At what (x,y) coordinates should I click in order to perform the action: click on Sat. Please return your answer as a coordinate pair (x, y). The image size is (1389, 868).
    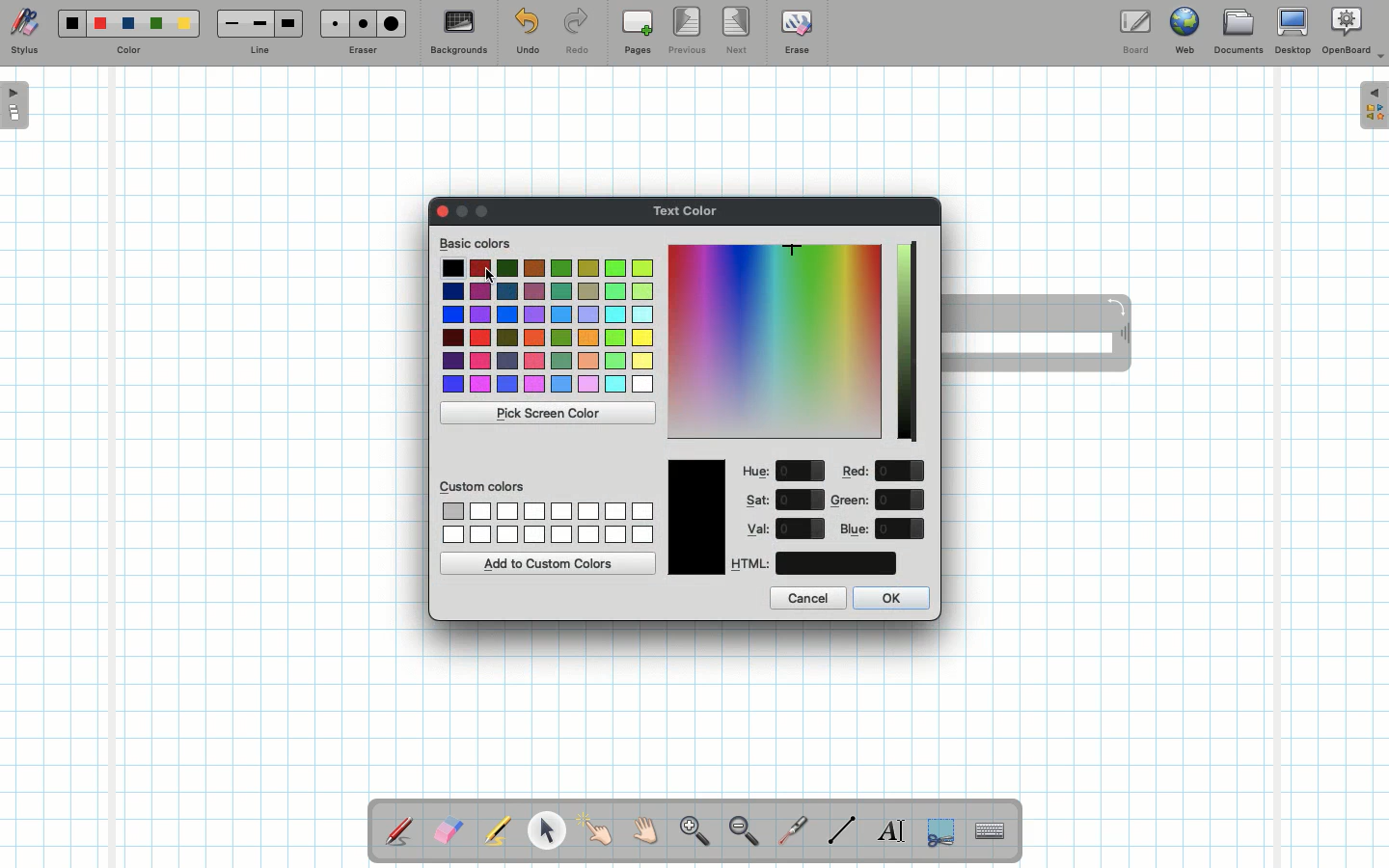
    Looking at the image, I should click on (758, 500).